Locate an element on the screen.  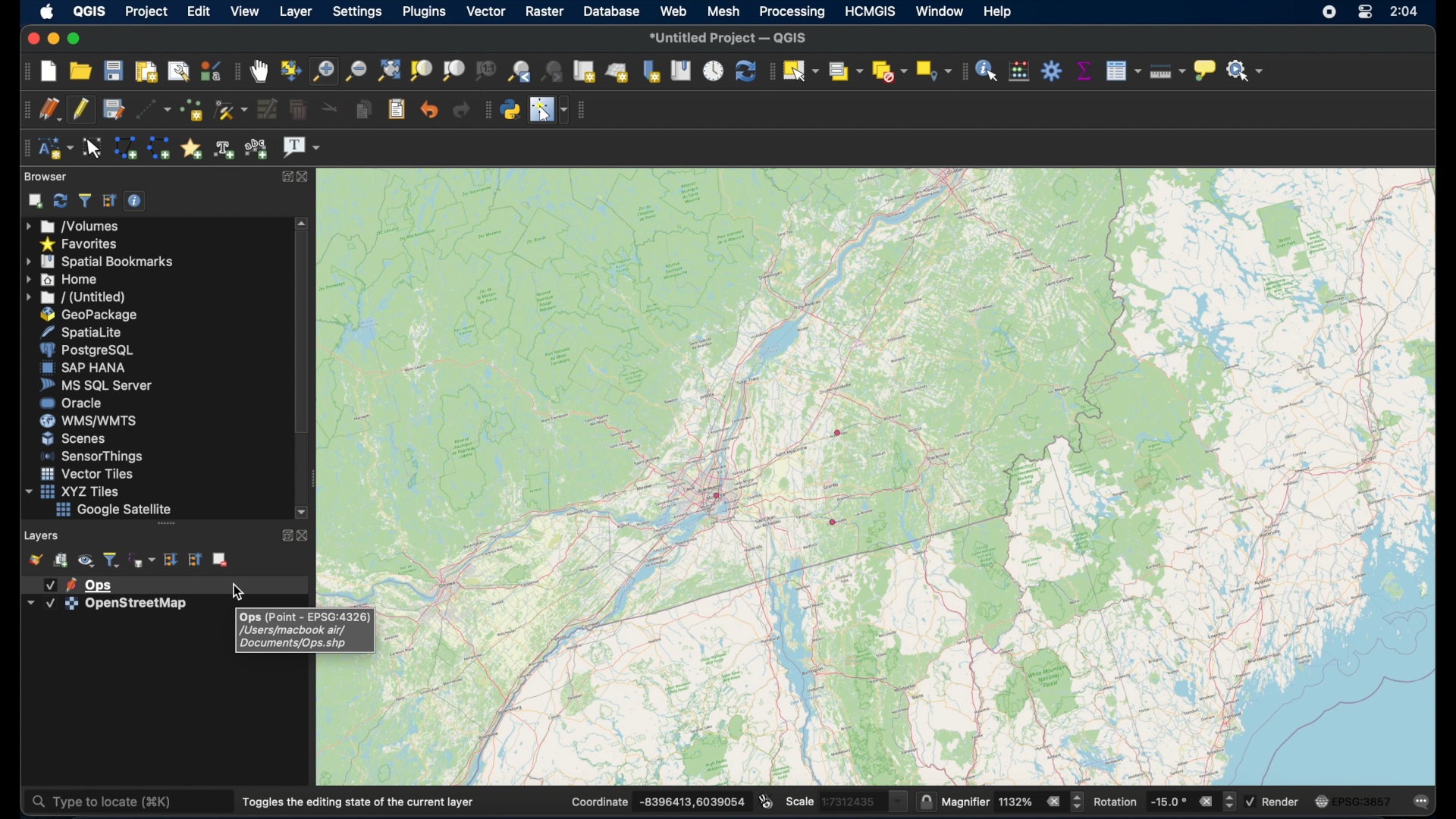
paste features  is located at coordinates (395, 108).